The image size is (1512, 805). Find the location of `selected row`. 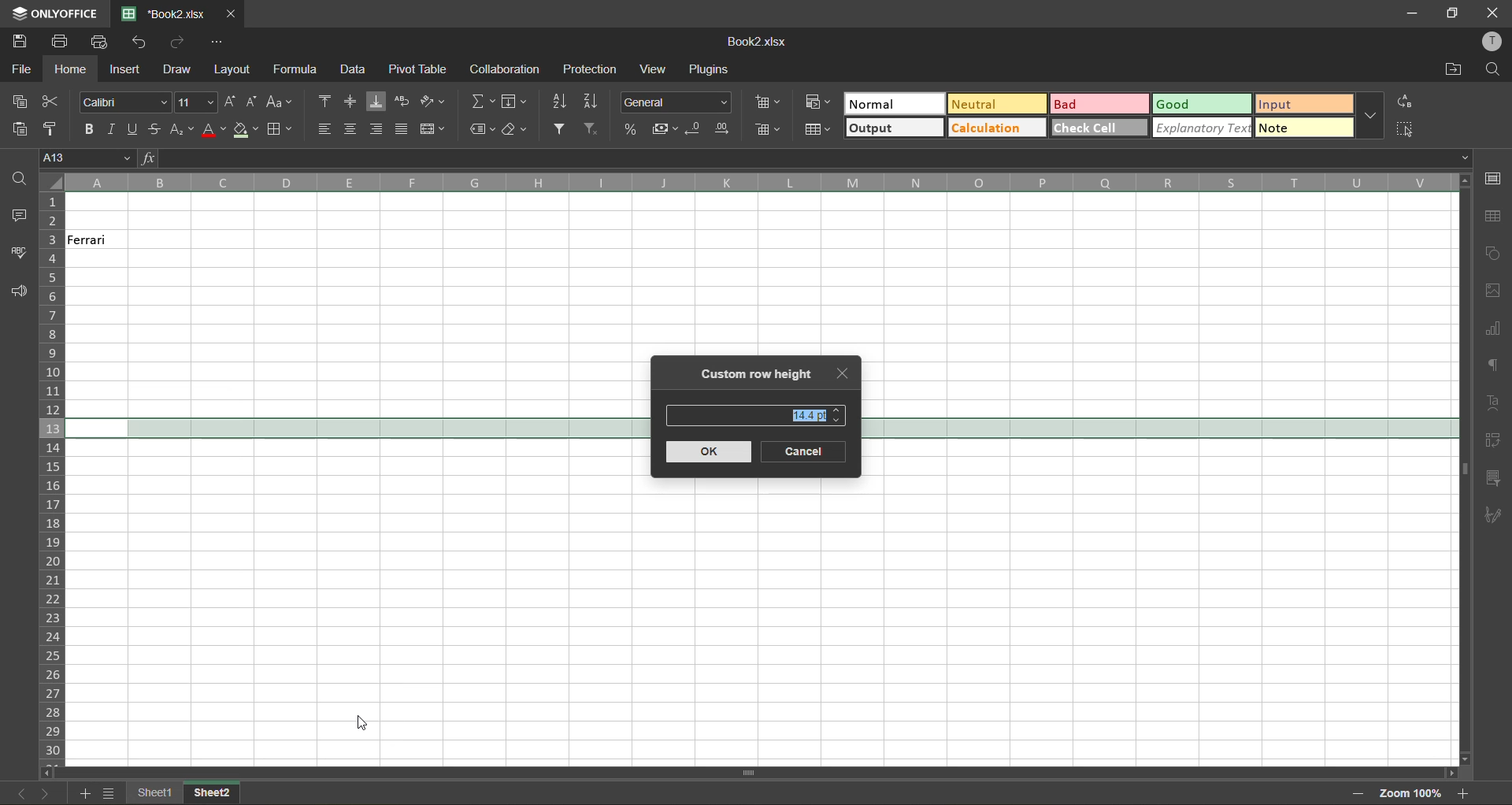

selected row is located at coordinates (1158, 428).